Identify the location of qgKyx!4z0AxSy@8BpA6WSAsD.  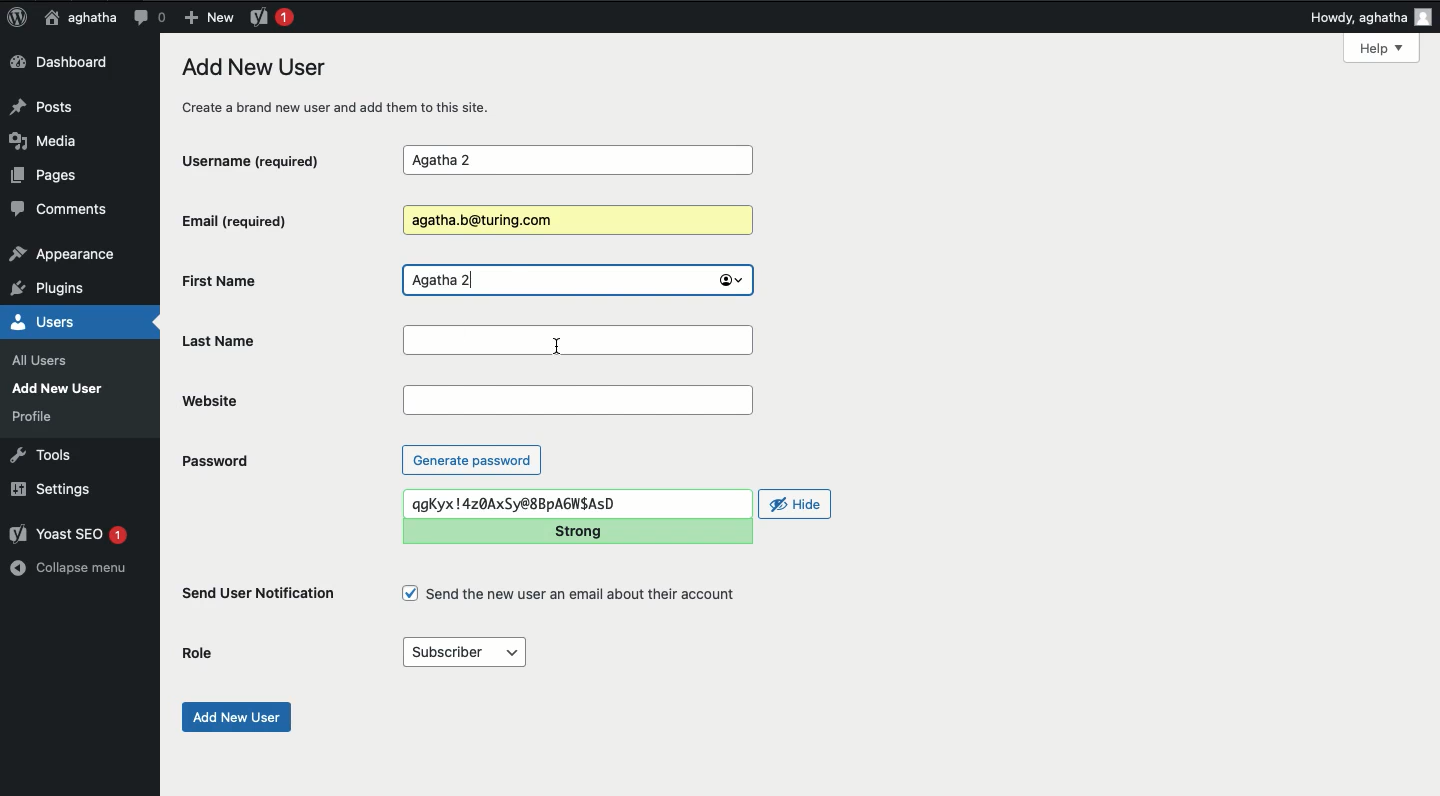
(577, 504).